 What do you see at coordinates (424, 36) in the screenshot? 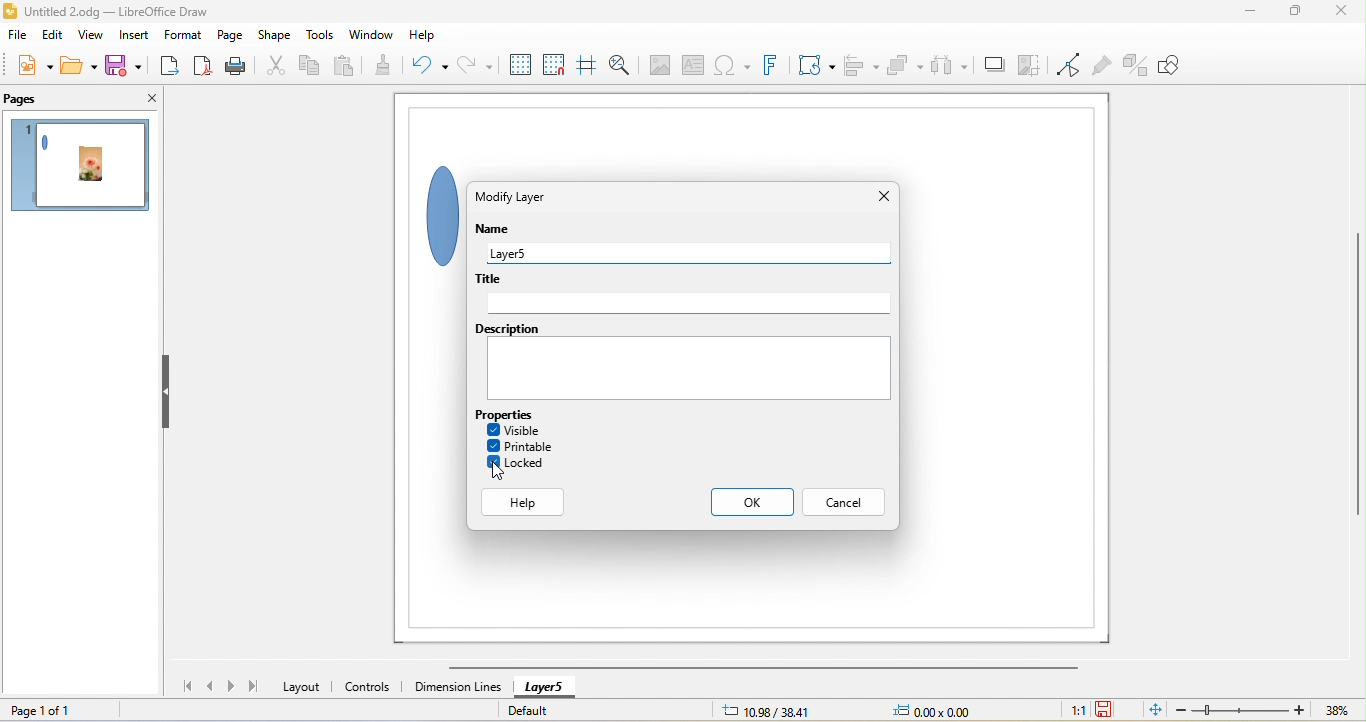
I see `help` at bounding box center [424, 36].